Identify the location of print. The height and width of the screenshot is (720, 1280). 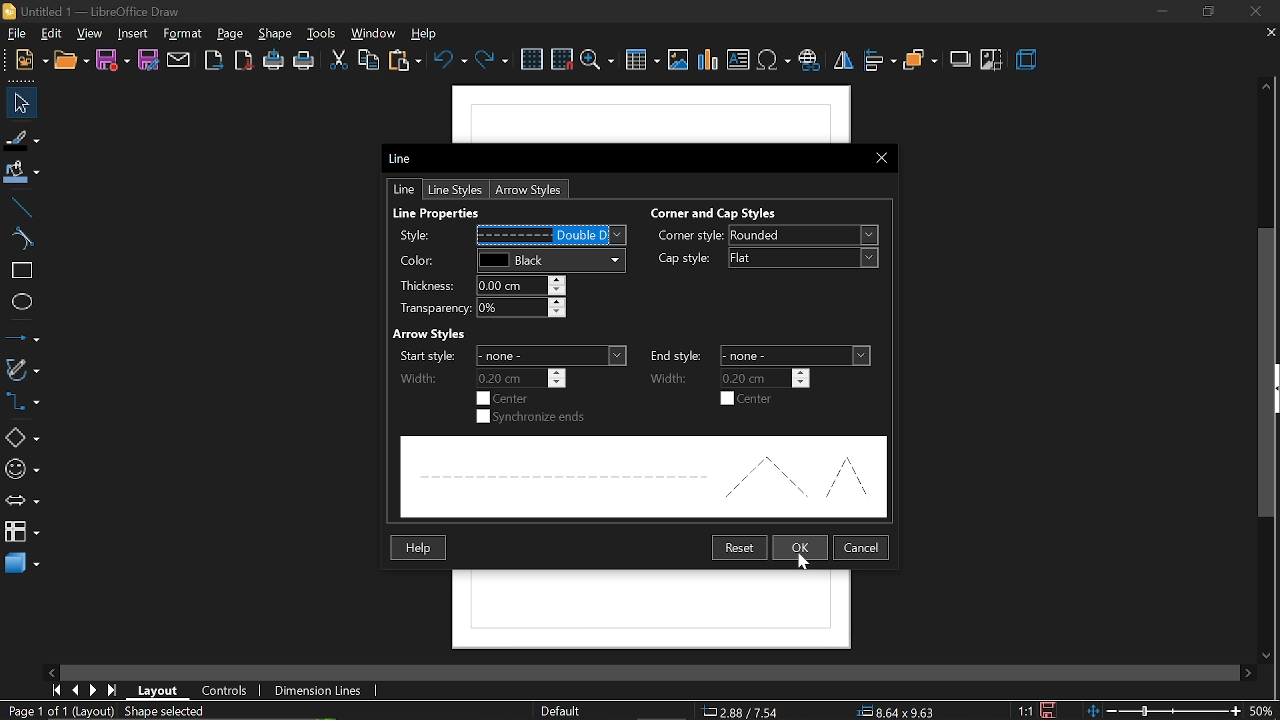
(306, 60).